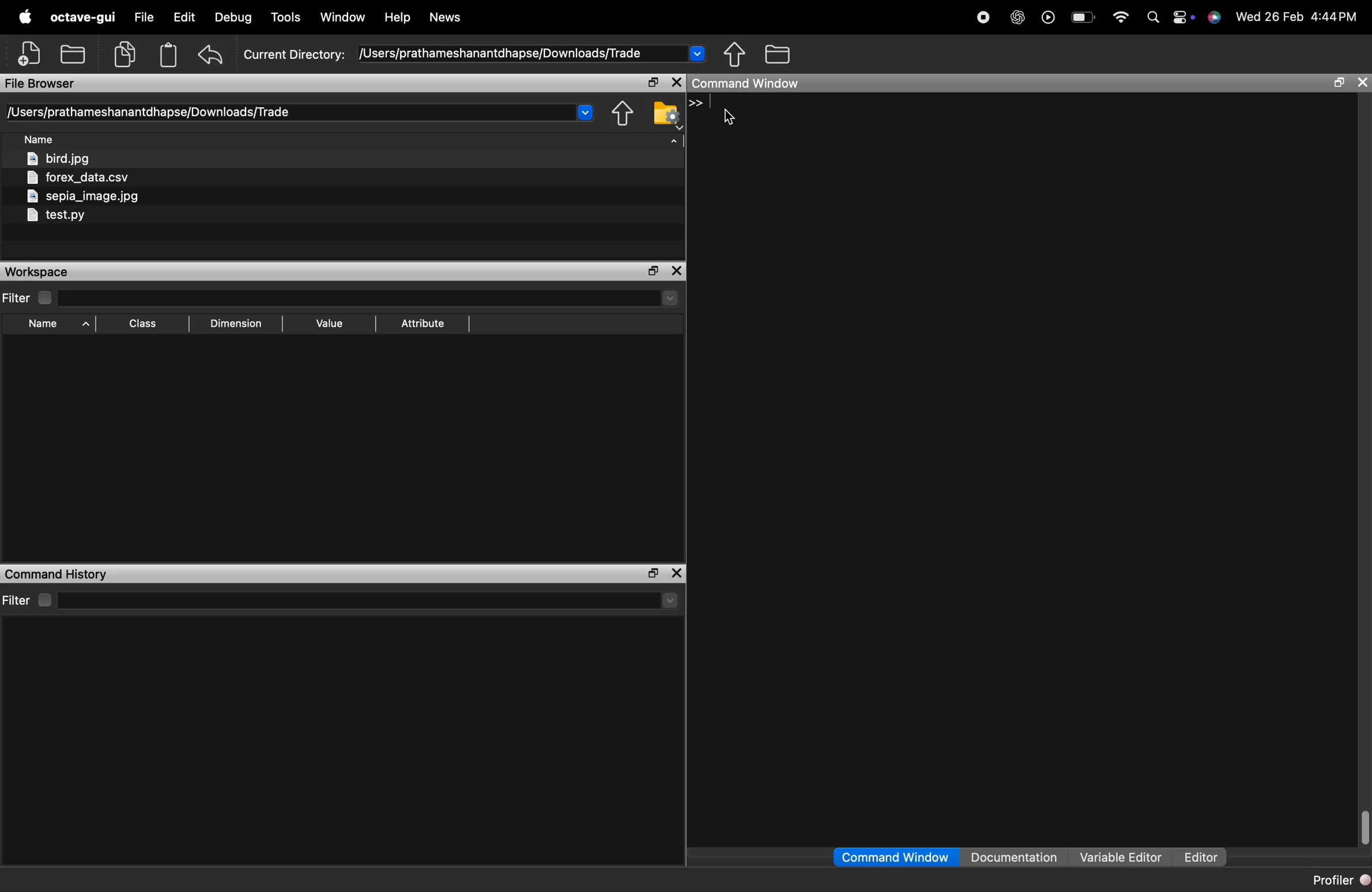  I want to click on support, so click(1215, 18).